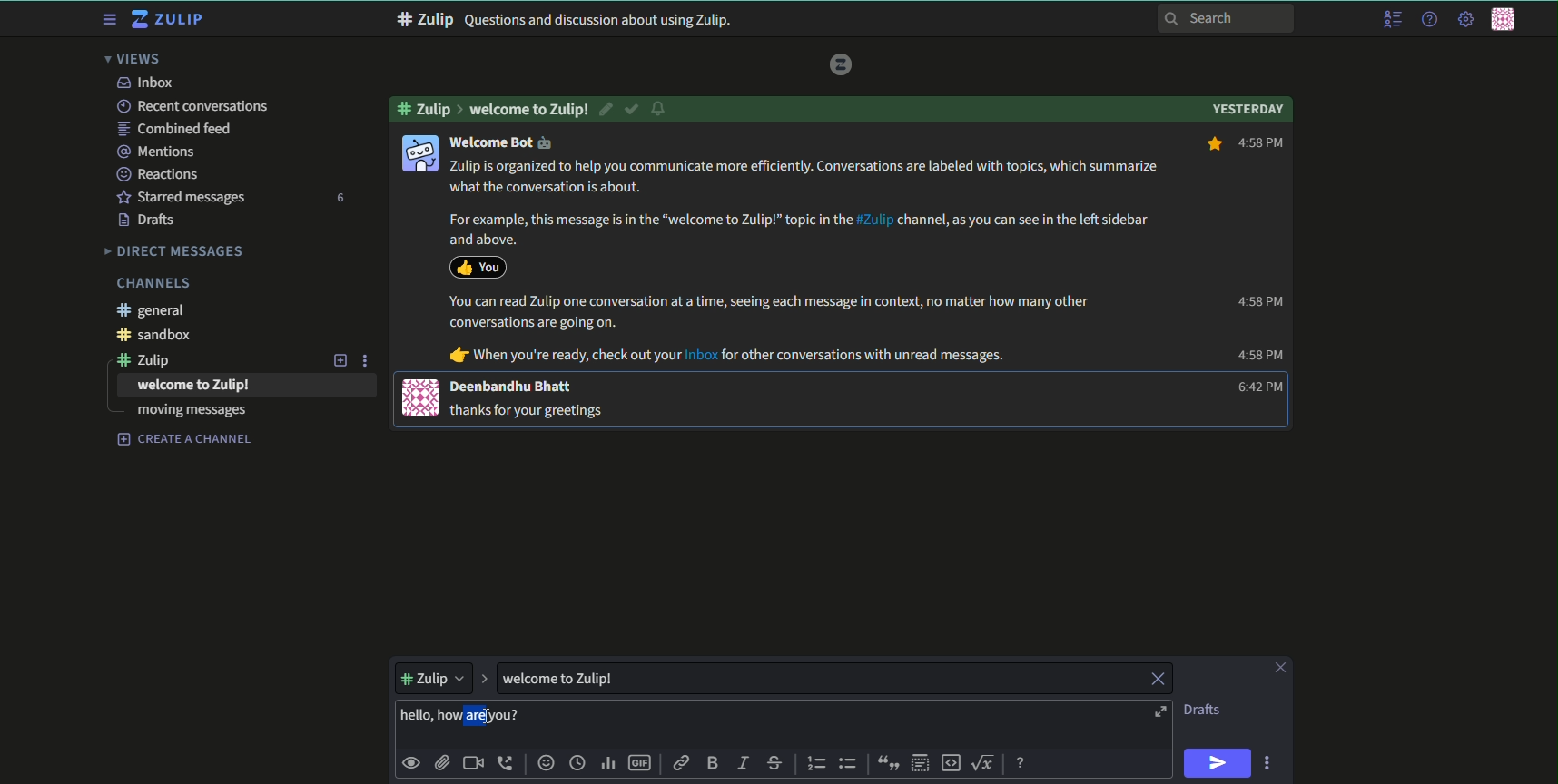 Image resolution: width=1558 pixels, height=784 pixels. What do you see at coordinates (848, 763) in the screenshot?
I see `bulleted list` at bounding box center [848, 763].